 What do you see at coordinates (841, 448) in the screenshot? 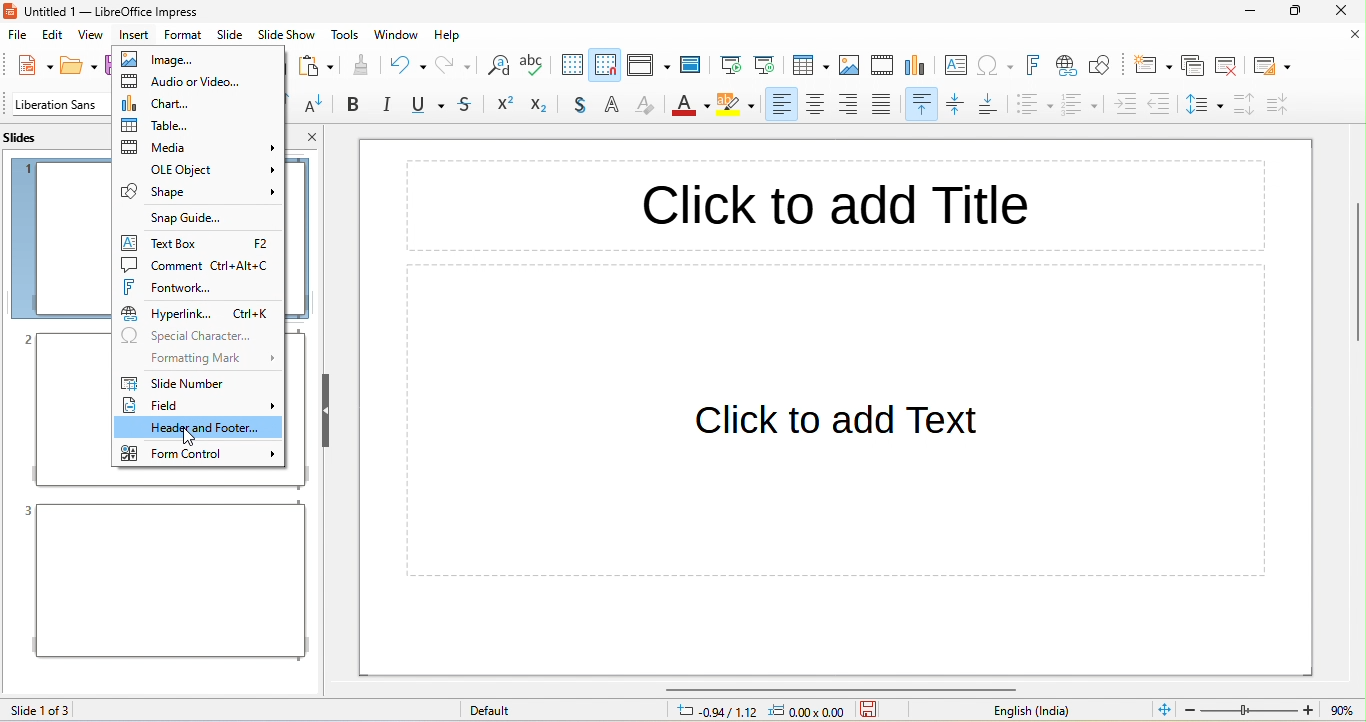
I see `click to add text` at bounding box center [841, 448].